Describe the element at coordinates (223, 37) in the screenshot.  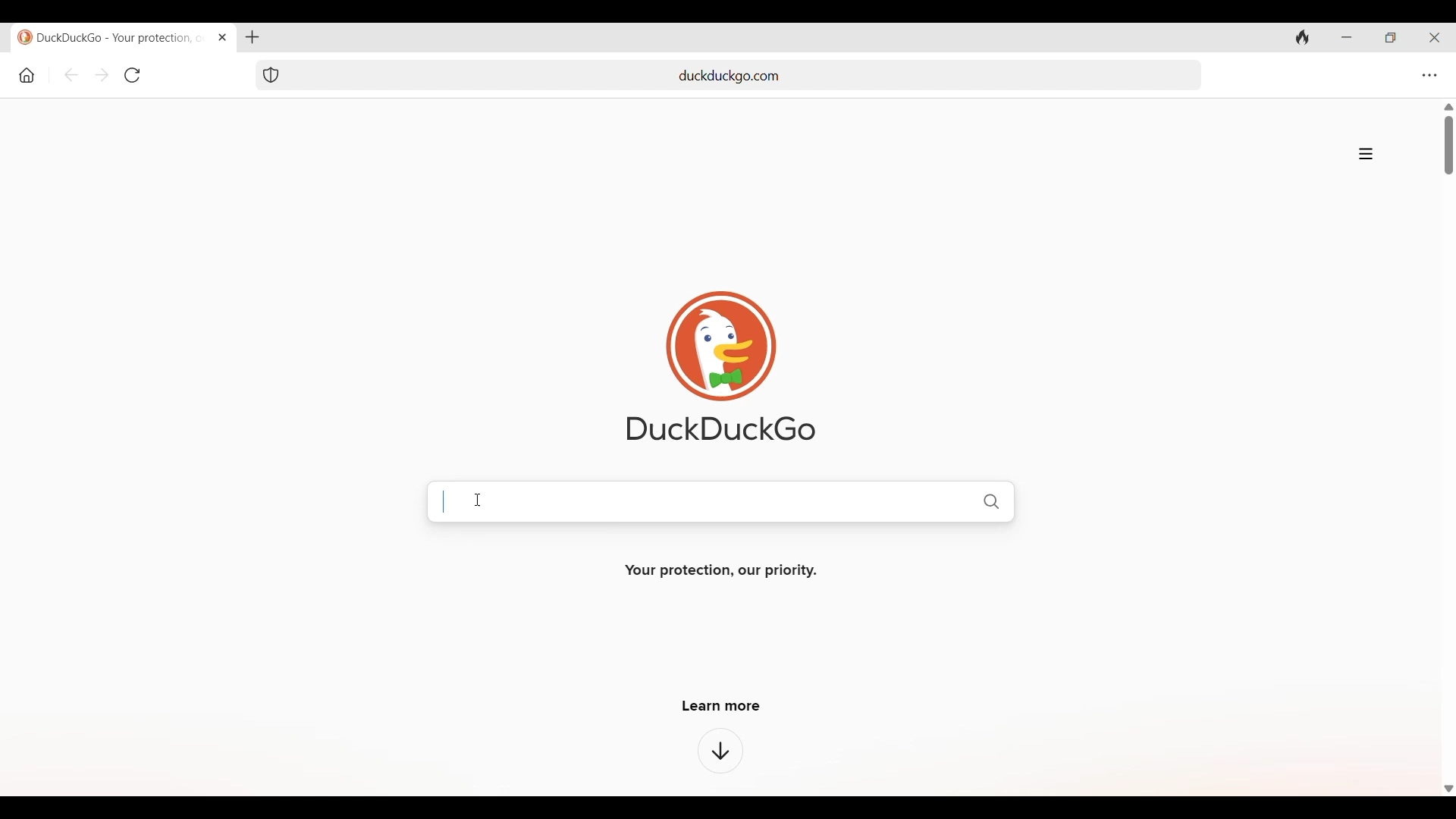
I see `Close tab` at that location.